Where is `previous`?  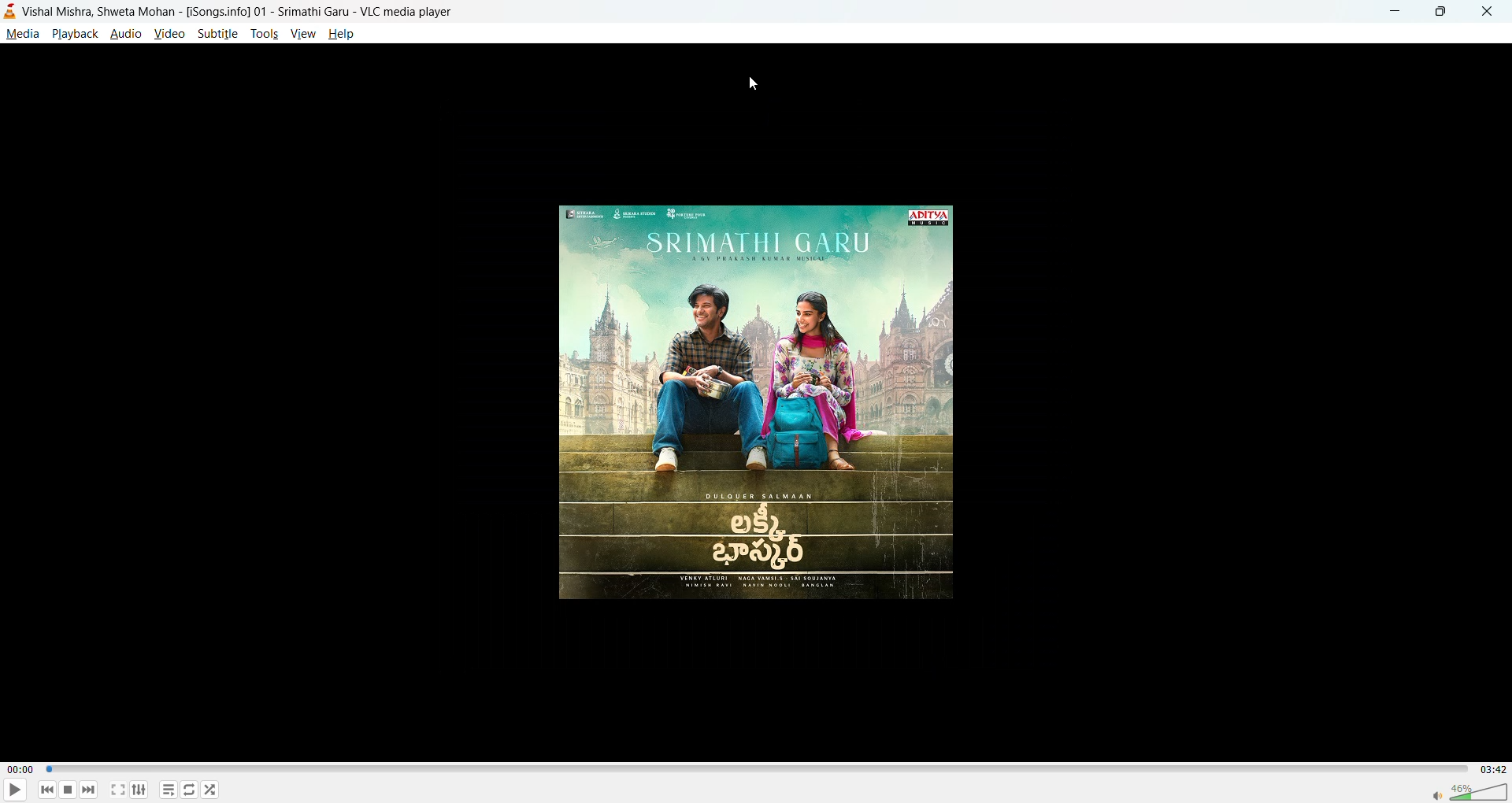 previous is located at coordinates (48, 789).